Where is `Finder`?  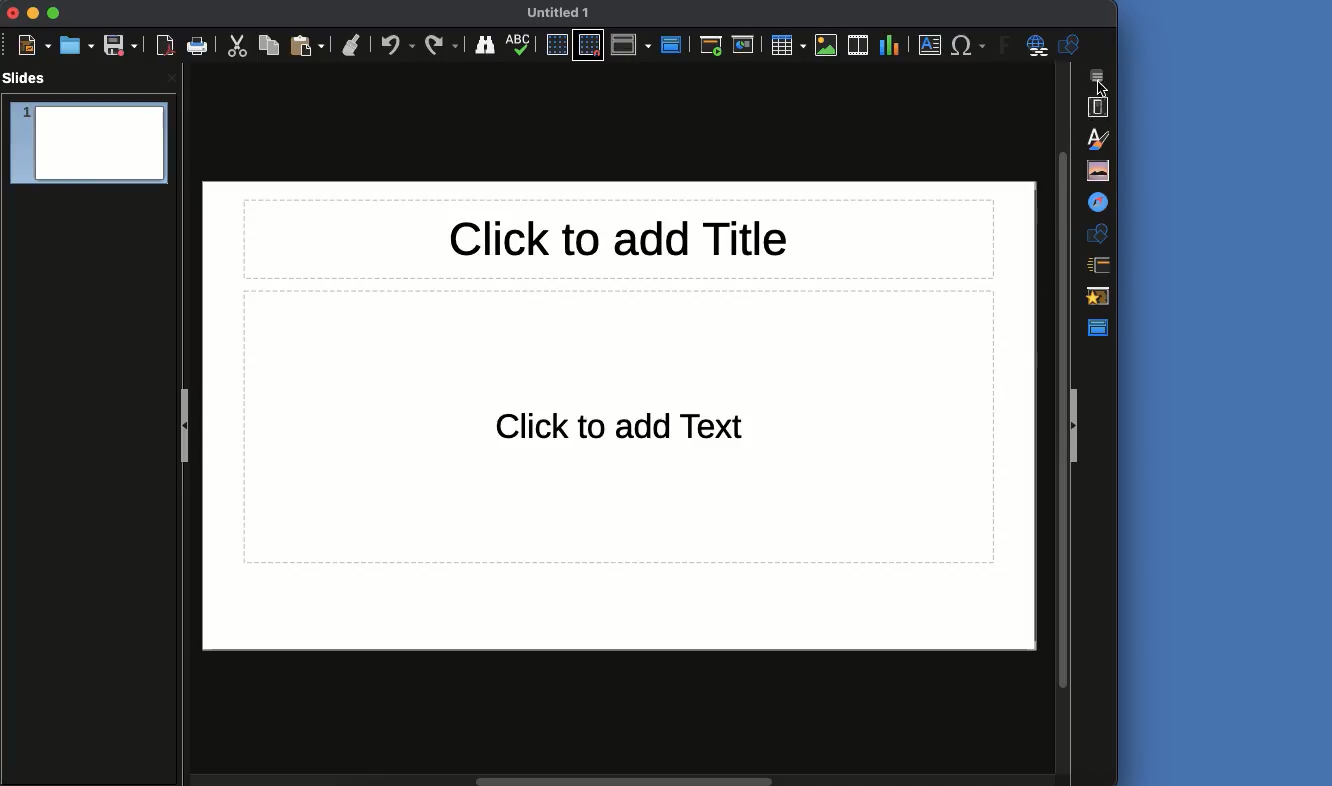
Finder is located at coordinates (488, 46).